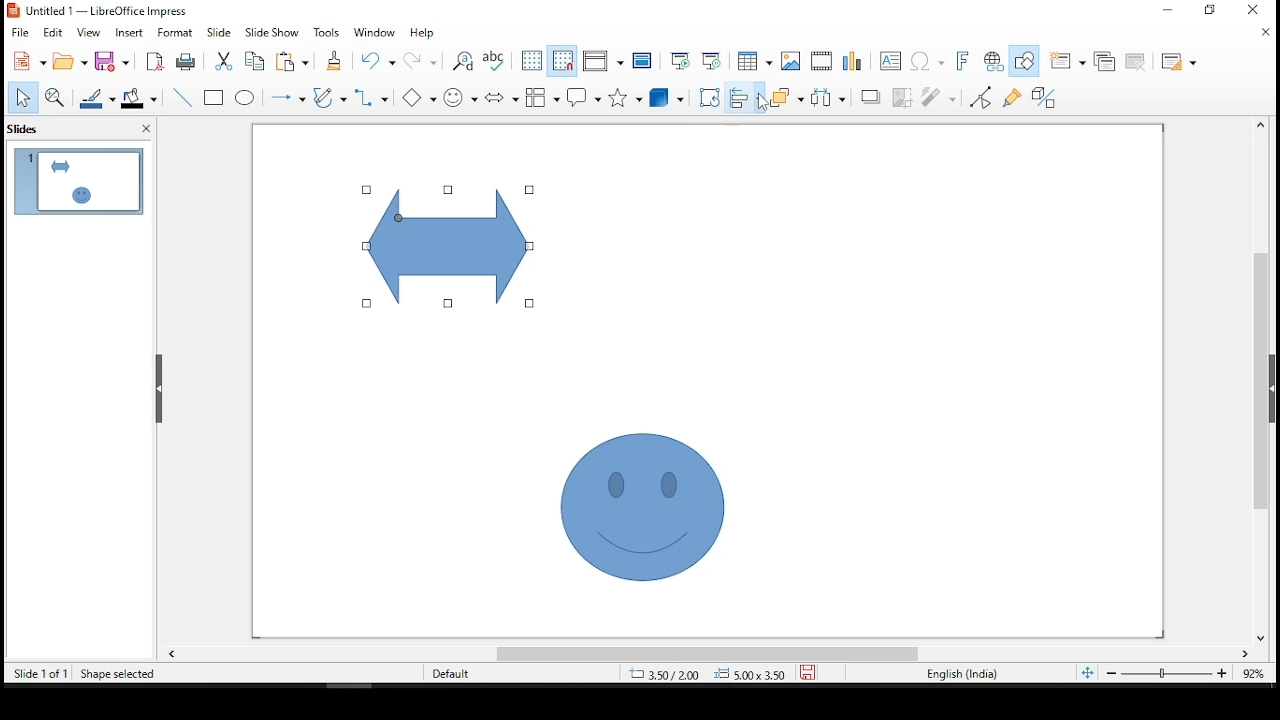 The image size is (1280, 720). I want to click on clone formatting, so click(338, 62).